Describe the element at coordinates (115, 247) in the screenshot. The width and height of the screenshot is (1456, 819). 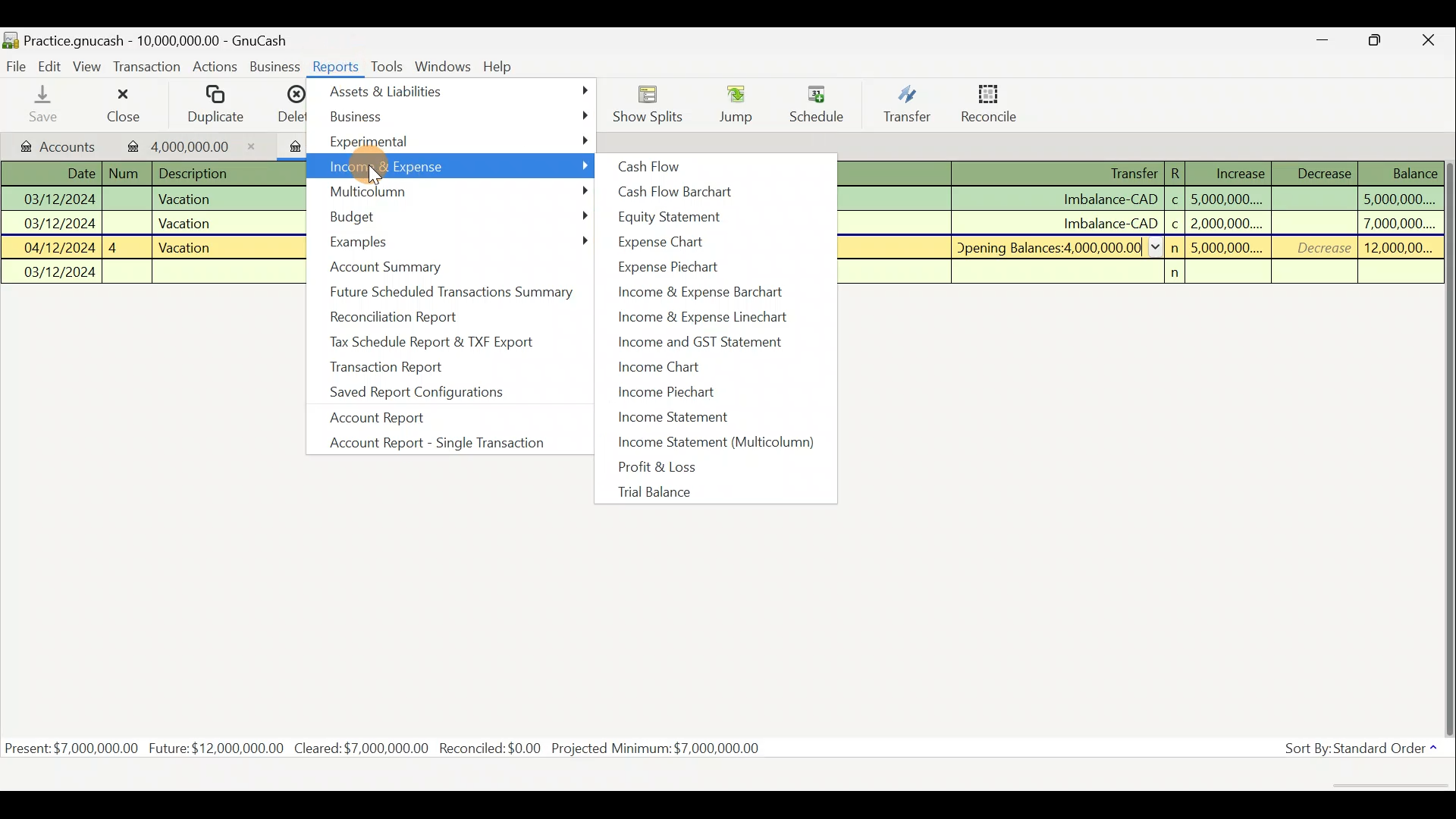
I see `4` at that location.